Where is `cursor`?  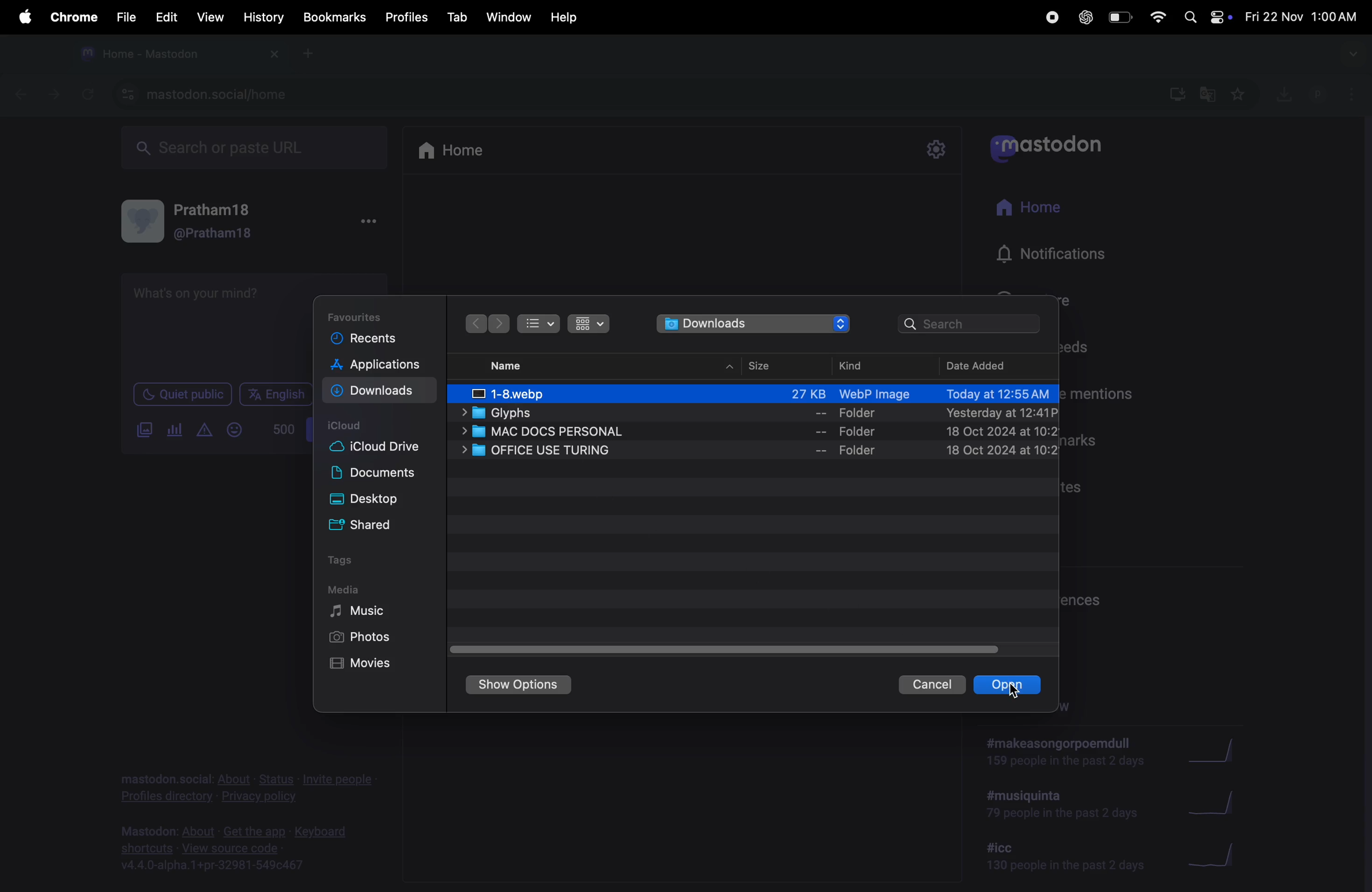 cursor is located at coordinates (1013, 690).